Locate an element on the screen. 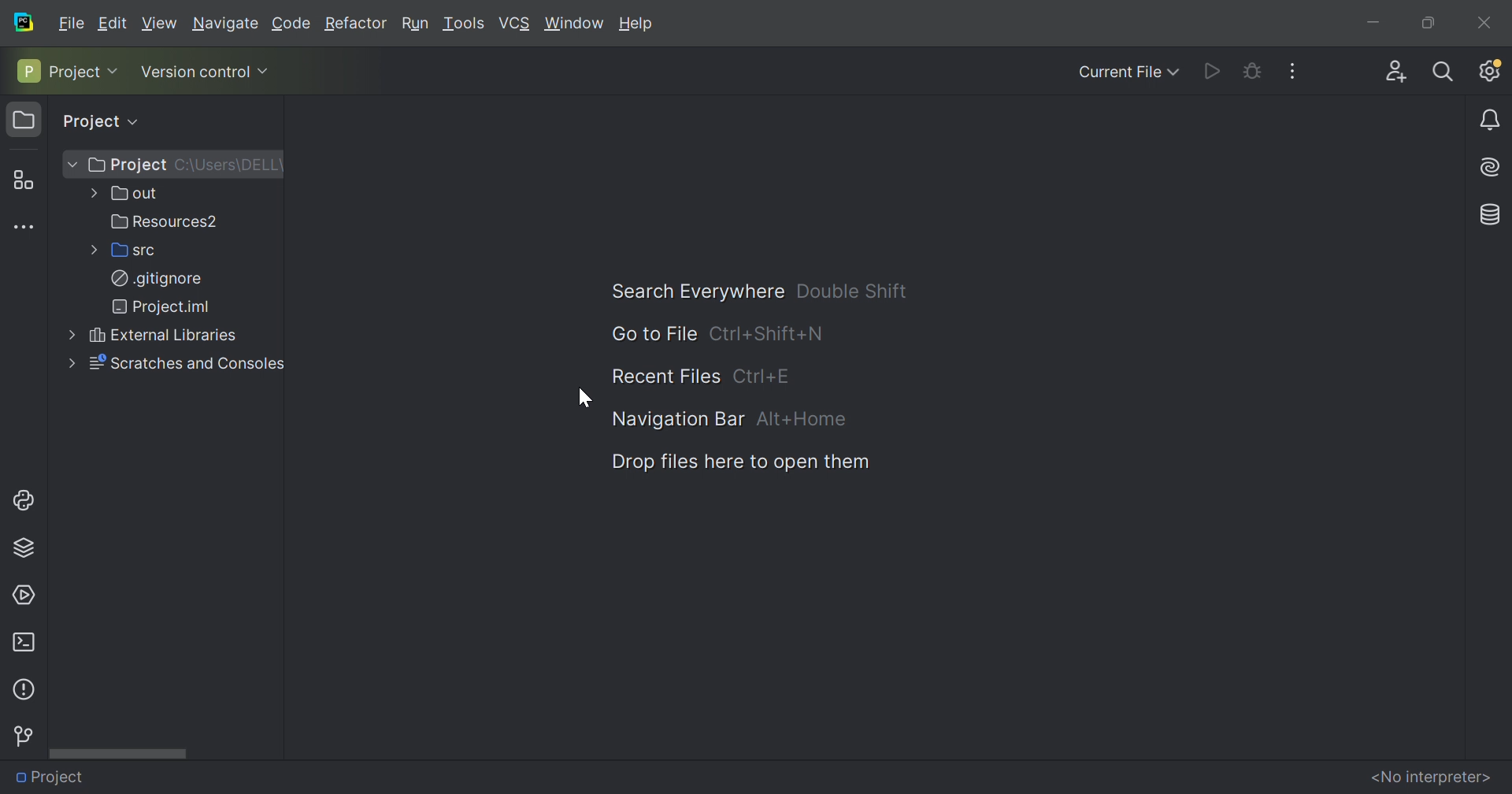 Image resolution: width=1512 pixels, height=794 pixels. Python packages is located at coordinates (29, 546).